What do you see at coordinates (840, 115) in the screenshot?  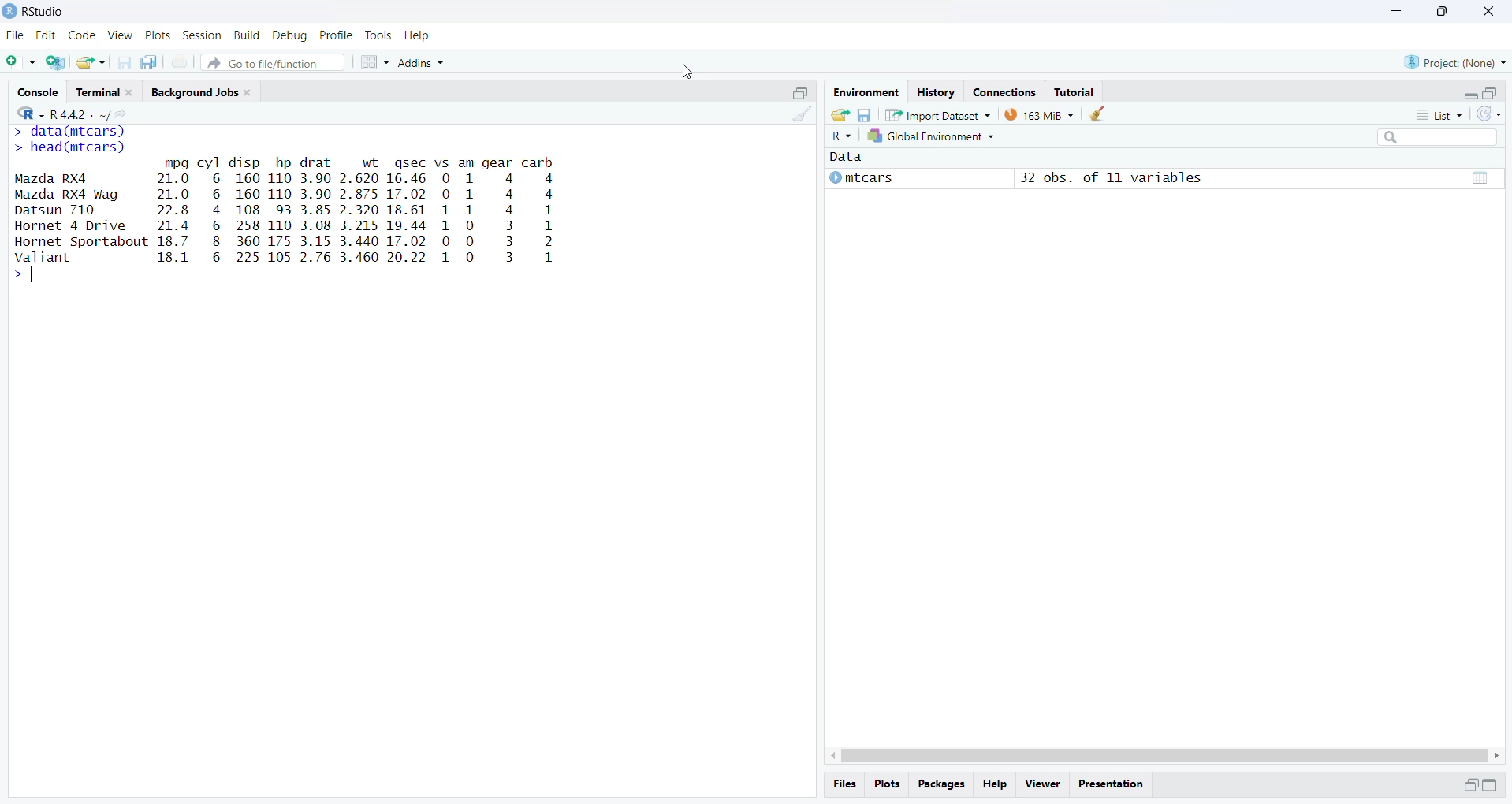 I see `share` at bounding box center [840, 115].